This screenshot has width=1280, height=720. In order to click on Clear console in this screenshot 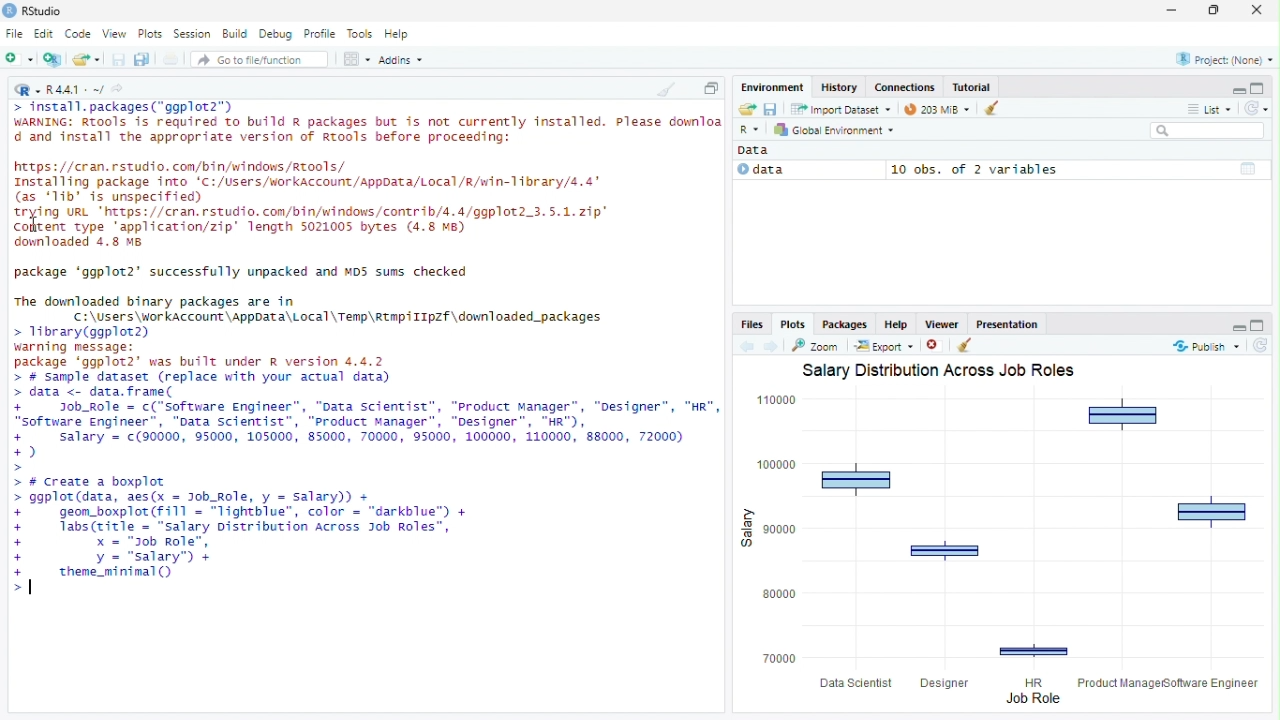, I will do `click(665, 89)`.